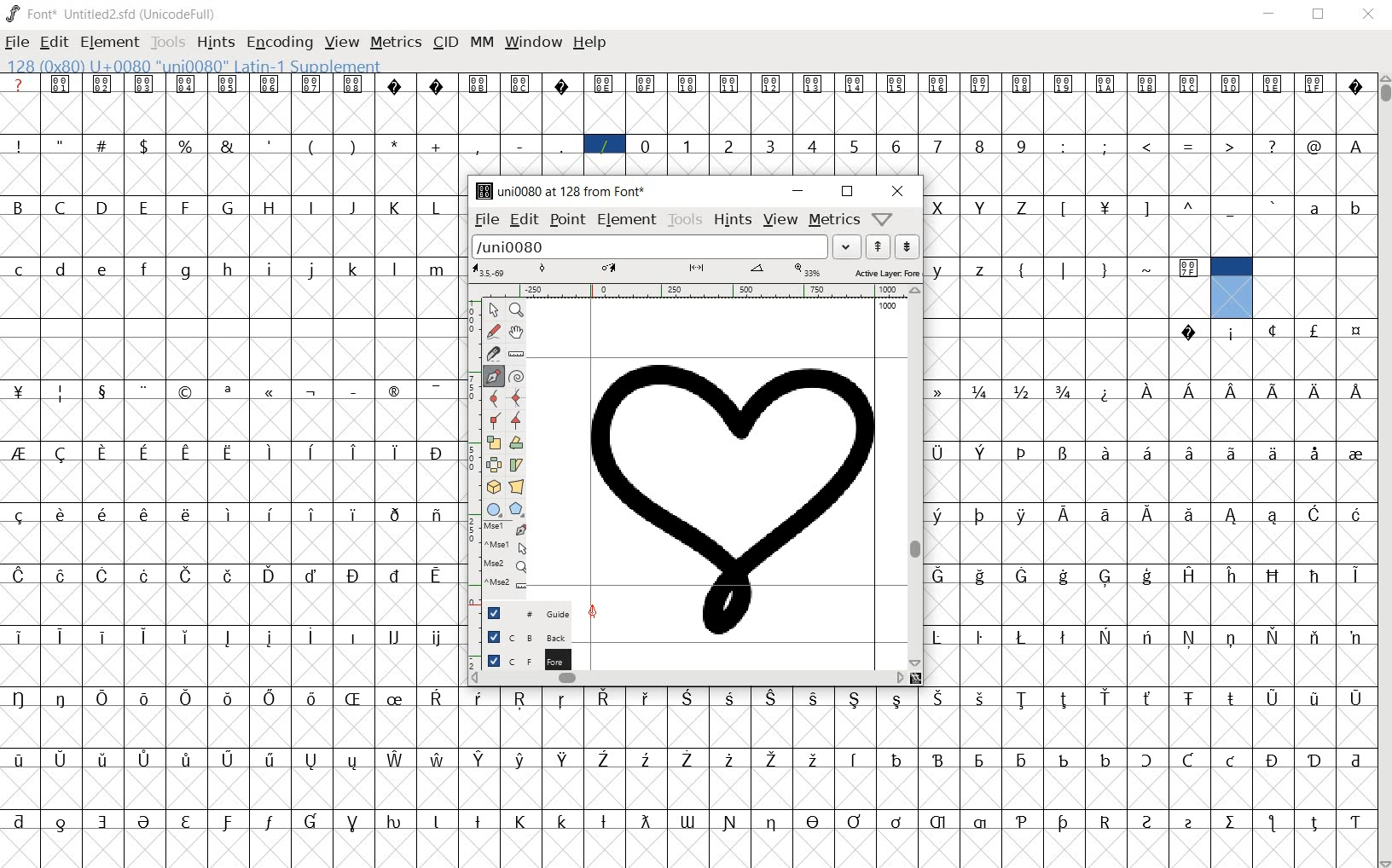  I want to click on glyph, so click(229, 576).